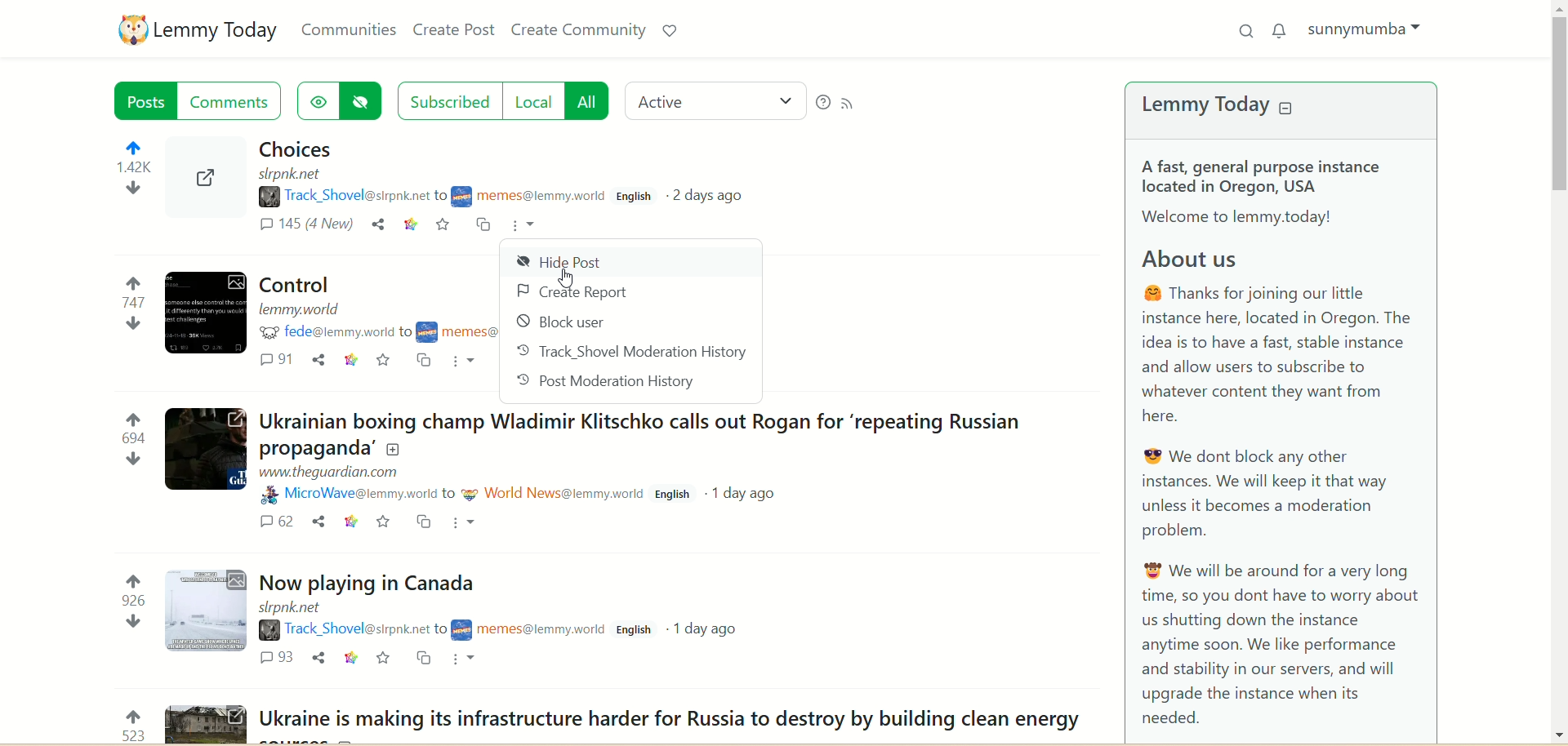  What do you see at coordinates (707, 628) in the screenshot?
I see `1 day ago(post date)` at bounding box center [707, 628].